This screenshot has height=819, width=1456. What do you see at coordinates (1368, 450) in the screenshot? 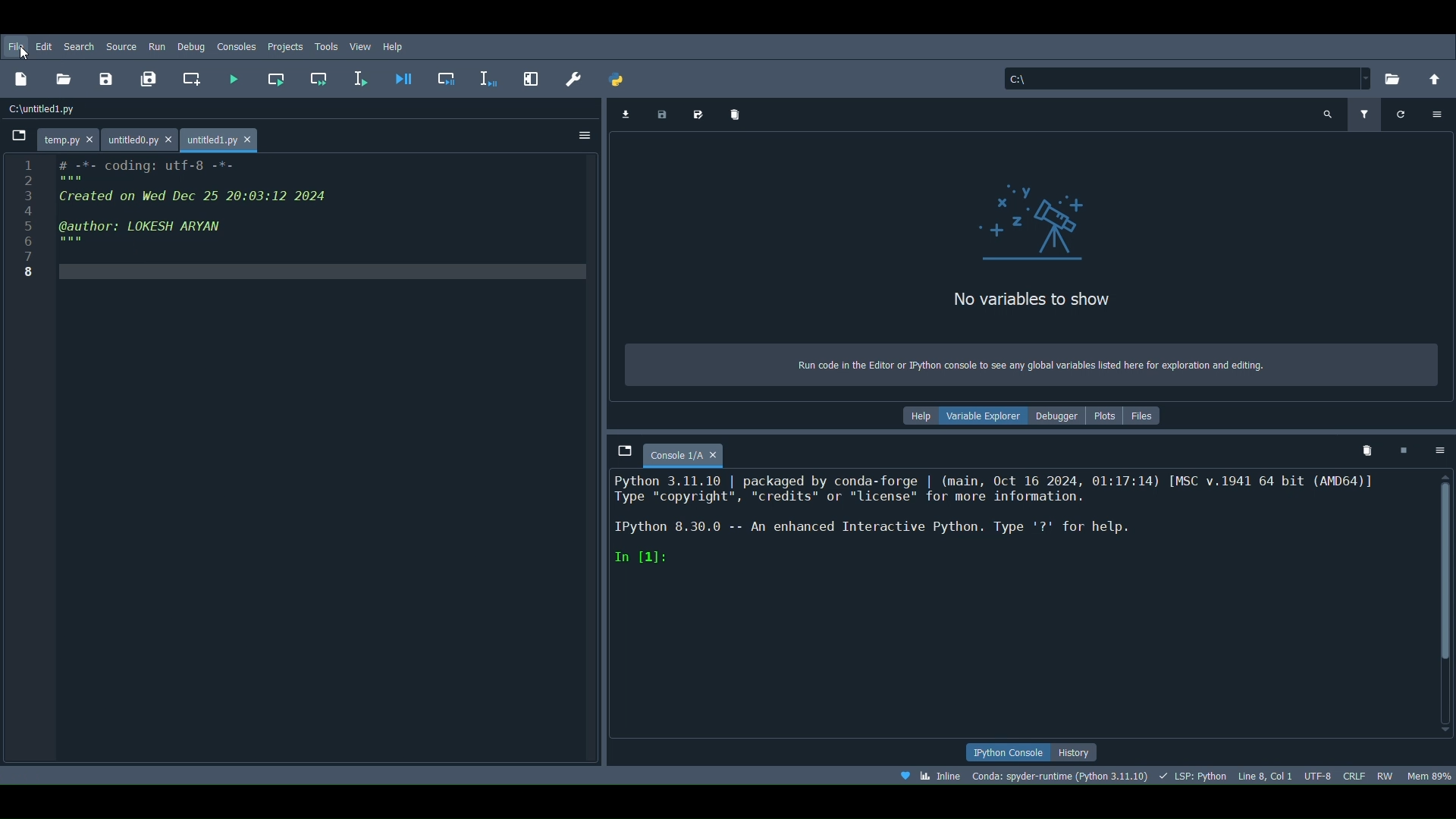
I see `Remove all variables from namespace` at bounding box center [1368, 450].